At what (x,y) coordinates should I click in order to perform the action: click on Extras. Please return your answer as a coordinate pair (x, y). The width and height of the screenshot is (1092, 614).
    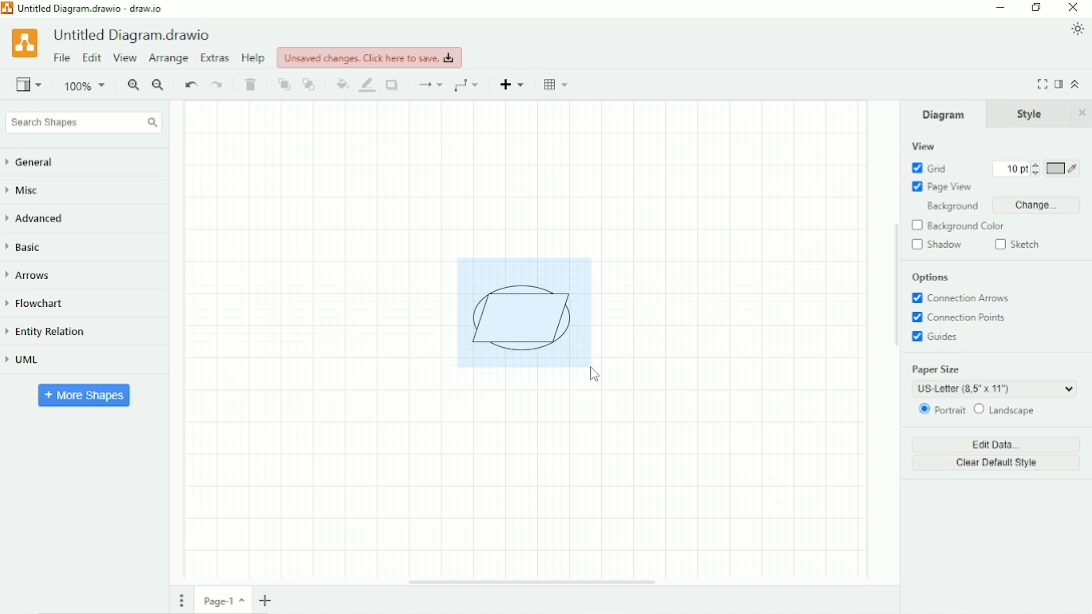
    Looking at the image, I should click on (215, 57).